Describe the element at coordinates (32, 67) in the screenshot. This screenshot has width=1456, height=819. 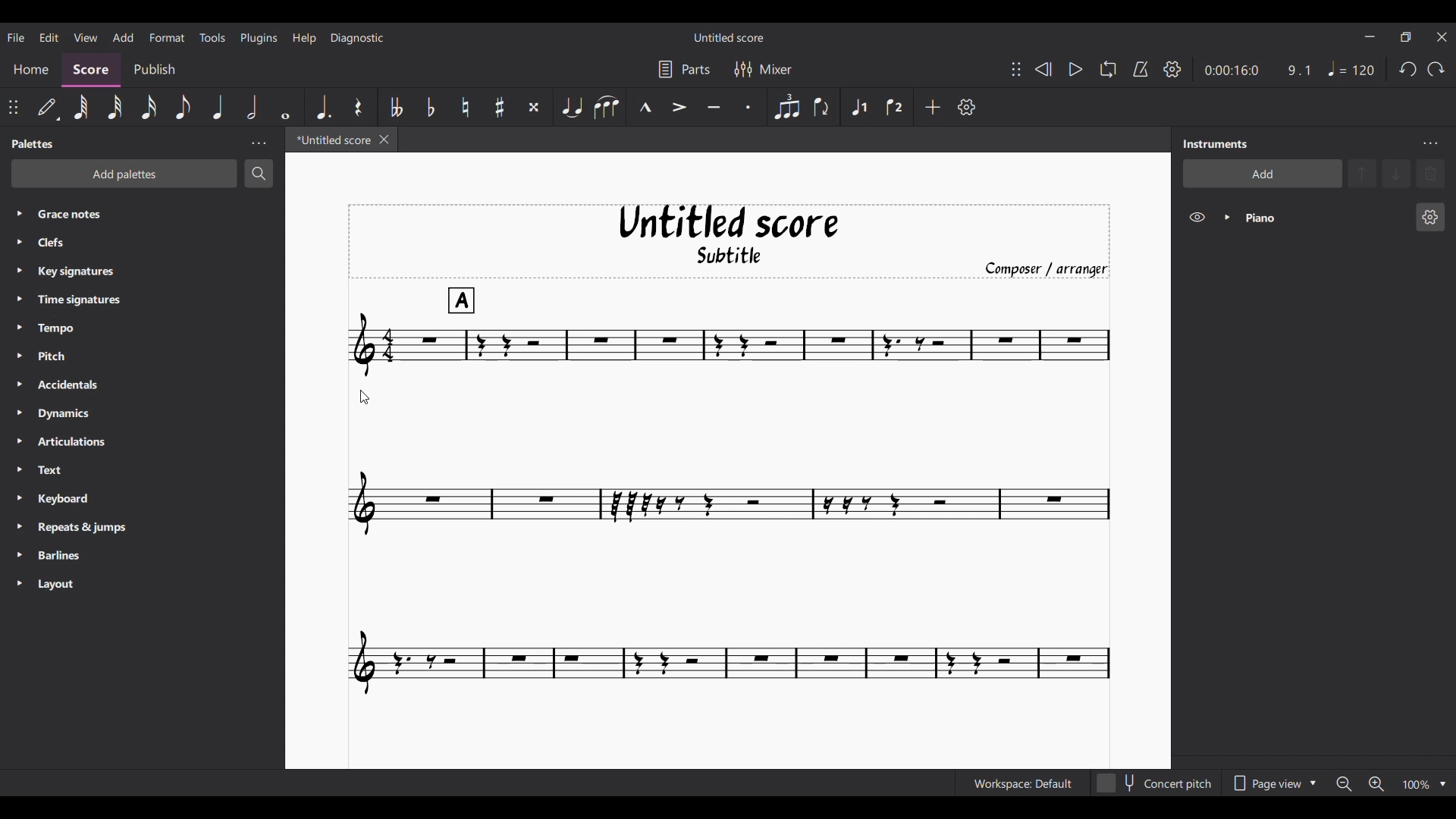
I see `Home section` at that location.